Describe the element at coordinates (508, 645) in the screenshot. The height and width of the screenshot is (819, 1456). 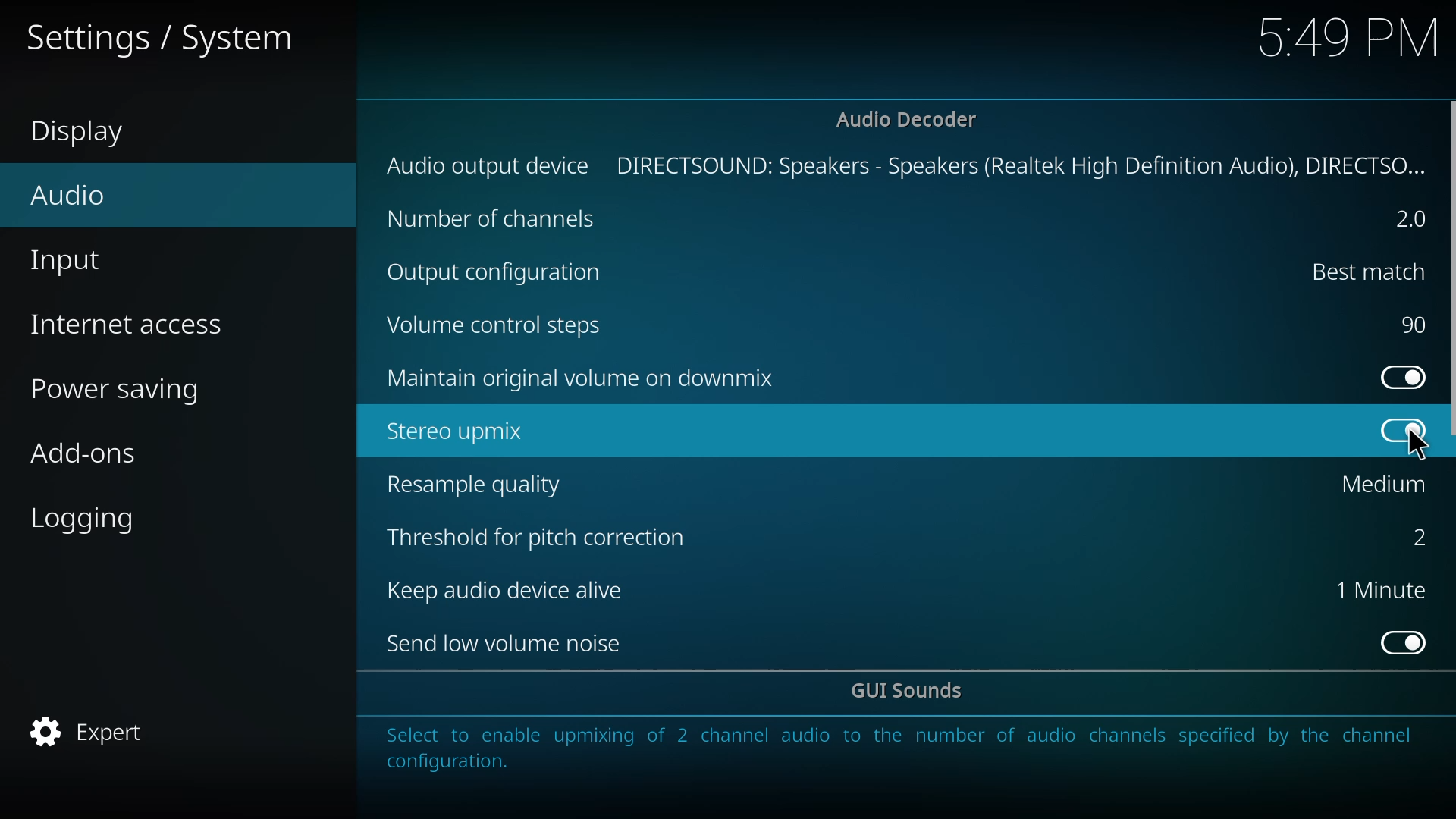
I see `send low volume noise` at that location.